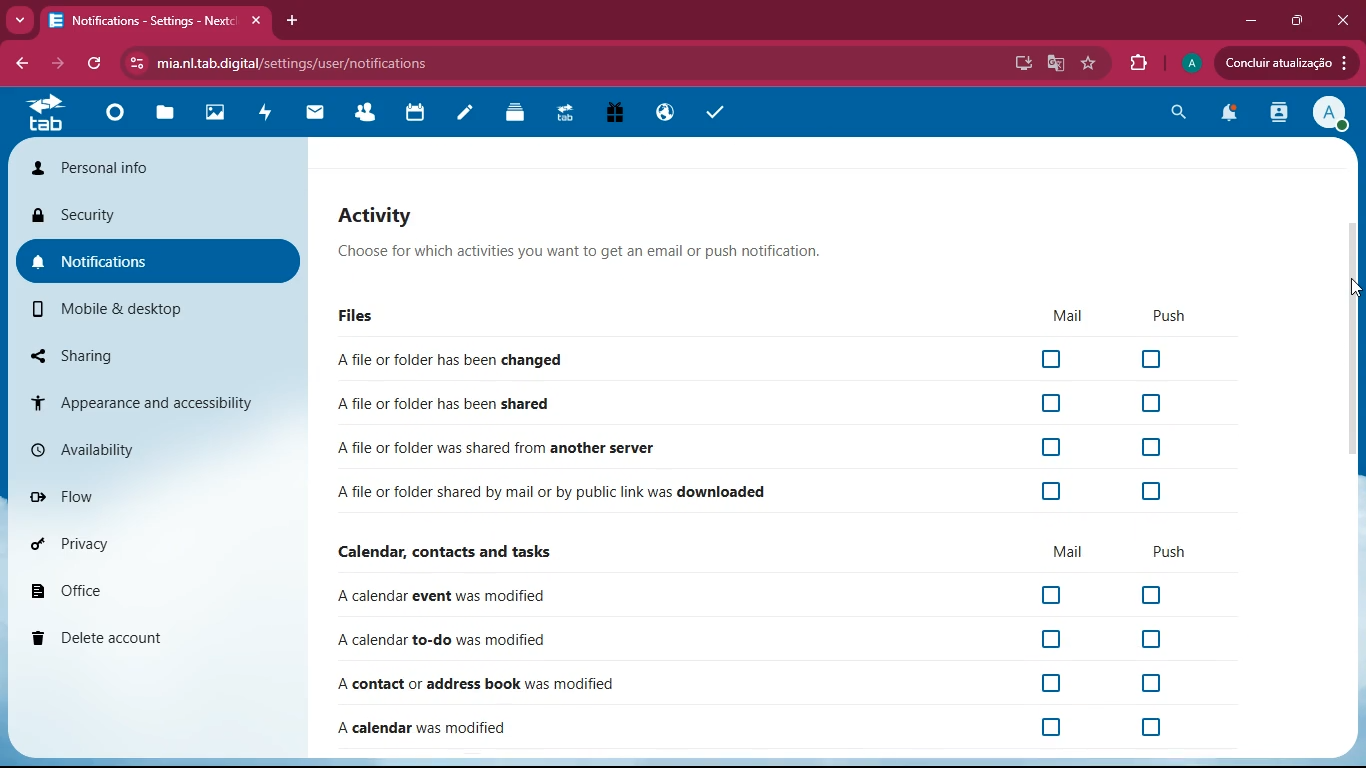 This screenshot has height=768, width=1366. What do you see at coordinates (48, 118) in the screenshot?
I see `tab` at bounding box center [48, 118].